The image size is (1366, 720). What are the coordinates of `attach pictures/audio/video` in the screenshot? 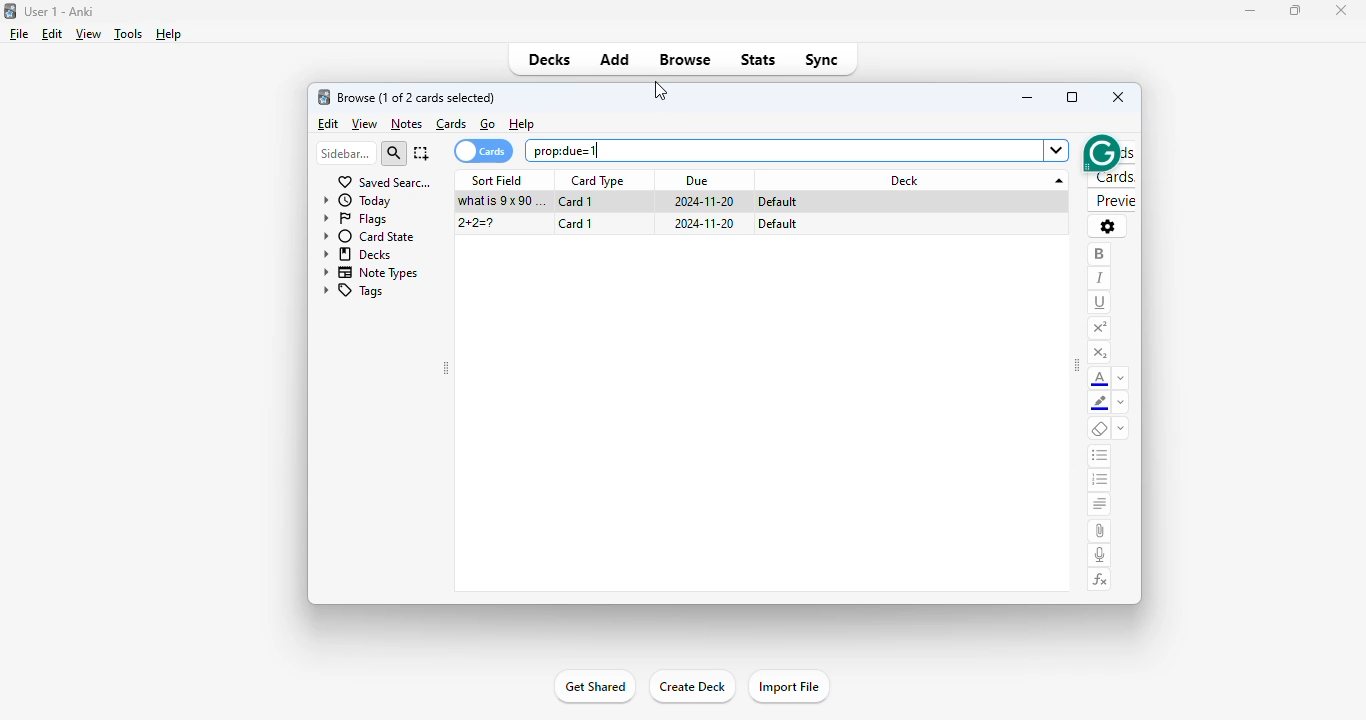 It's located at (1100, 531).